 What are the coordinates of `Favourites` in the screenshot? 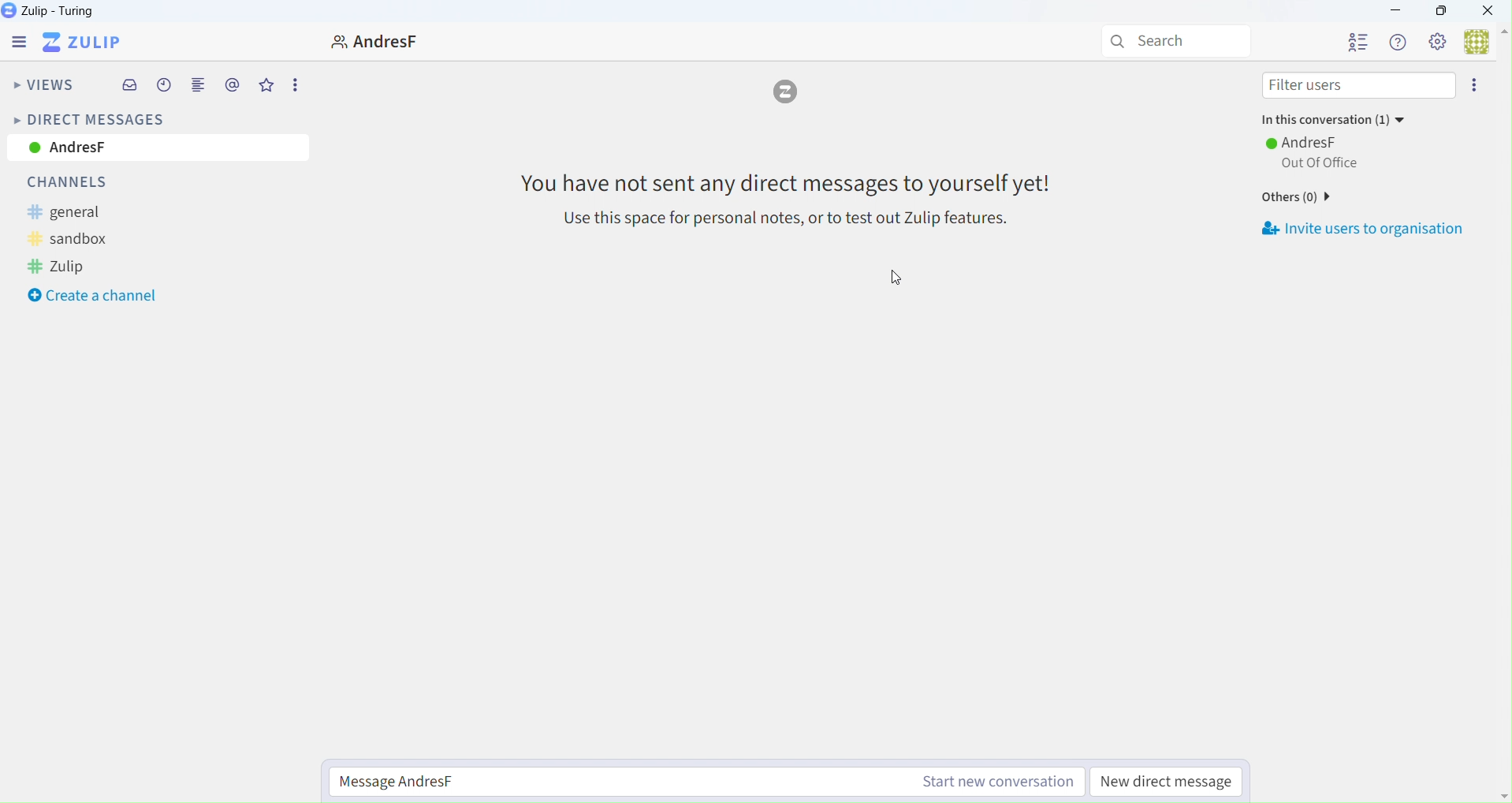 It's located at (266, 86).